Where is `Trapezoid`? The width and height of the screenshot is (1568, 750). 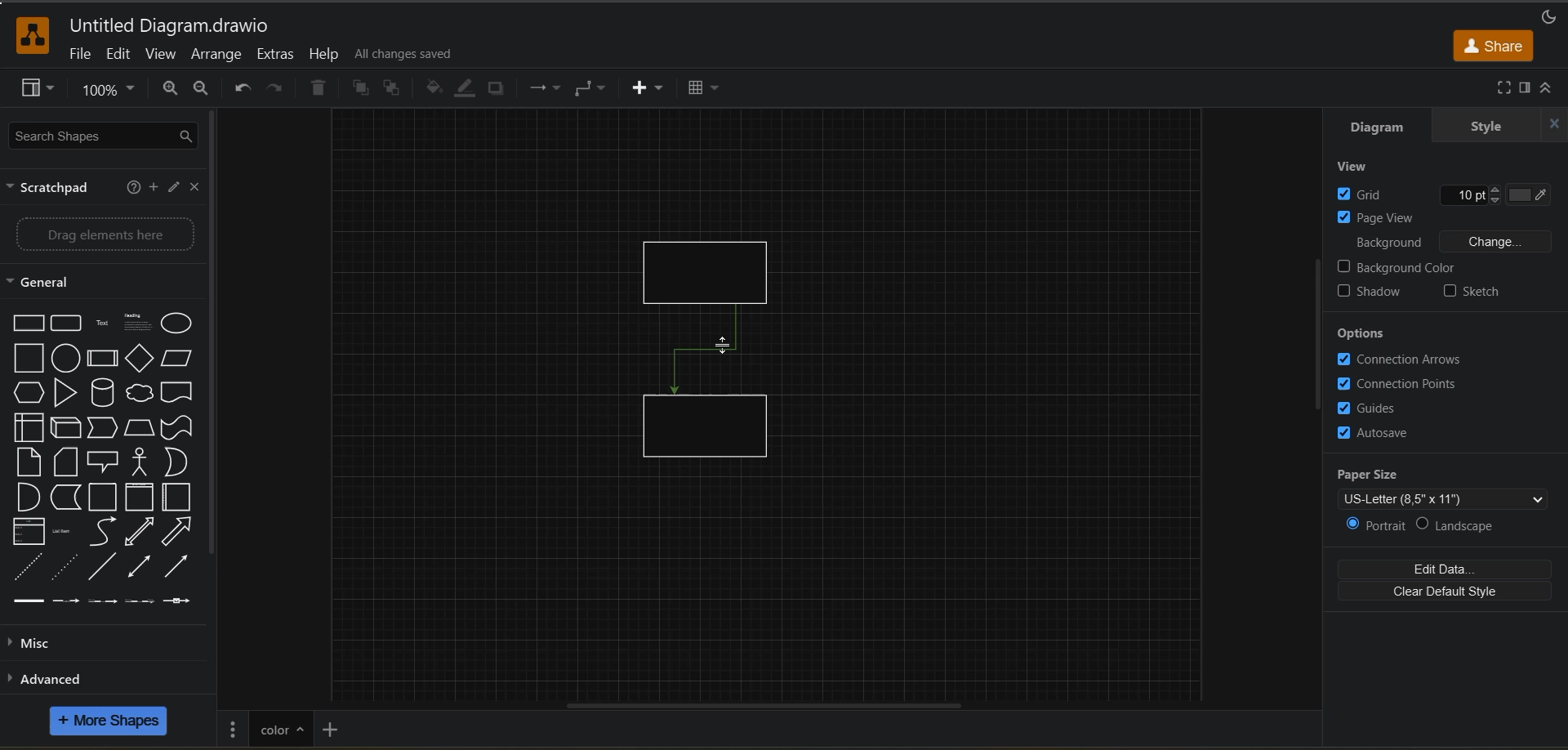
Trapezoid is located at coordinates (141, 429).